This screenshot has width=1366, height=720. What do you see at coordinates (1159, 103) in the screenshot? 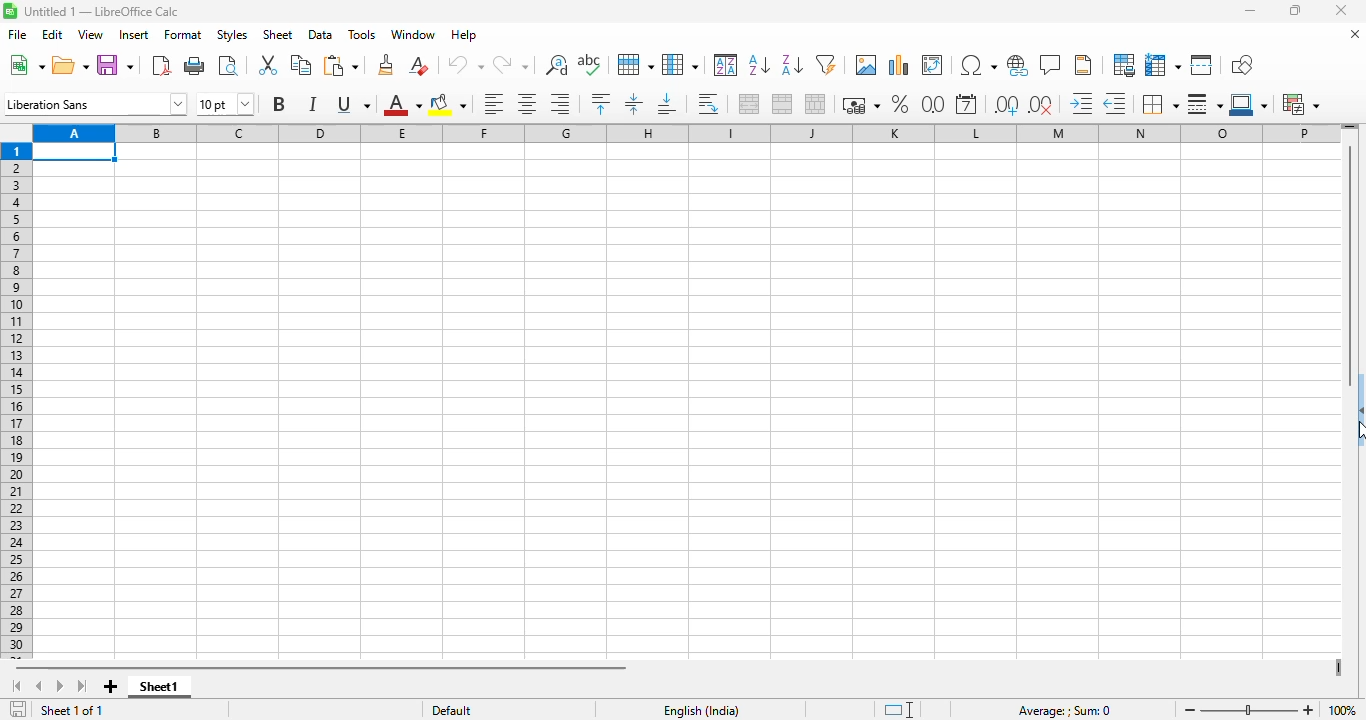
I see `borders` at bounding box center [1159, 103].